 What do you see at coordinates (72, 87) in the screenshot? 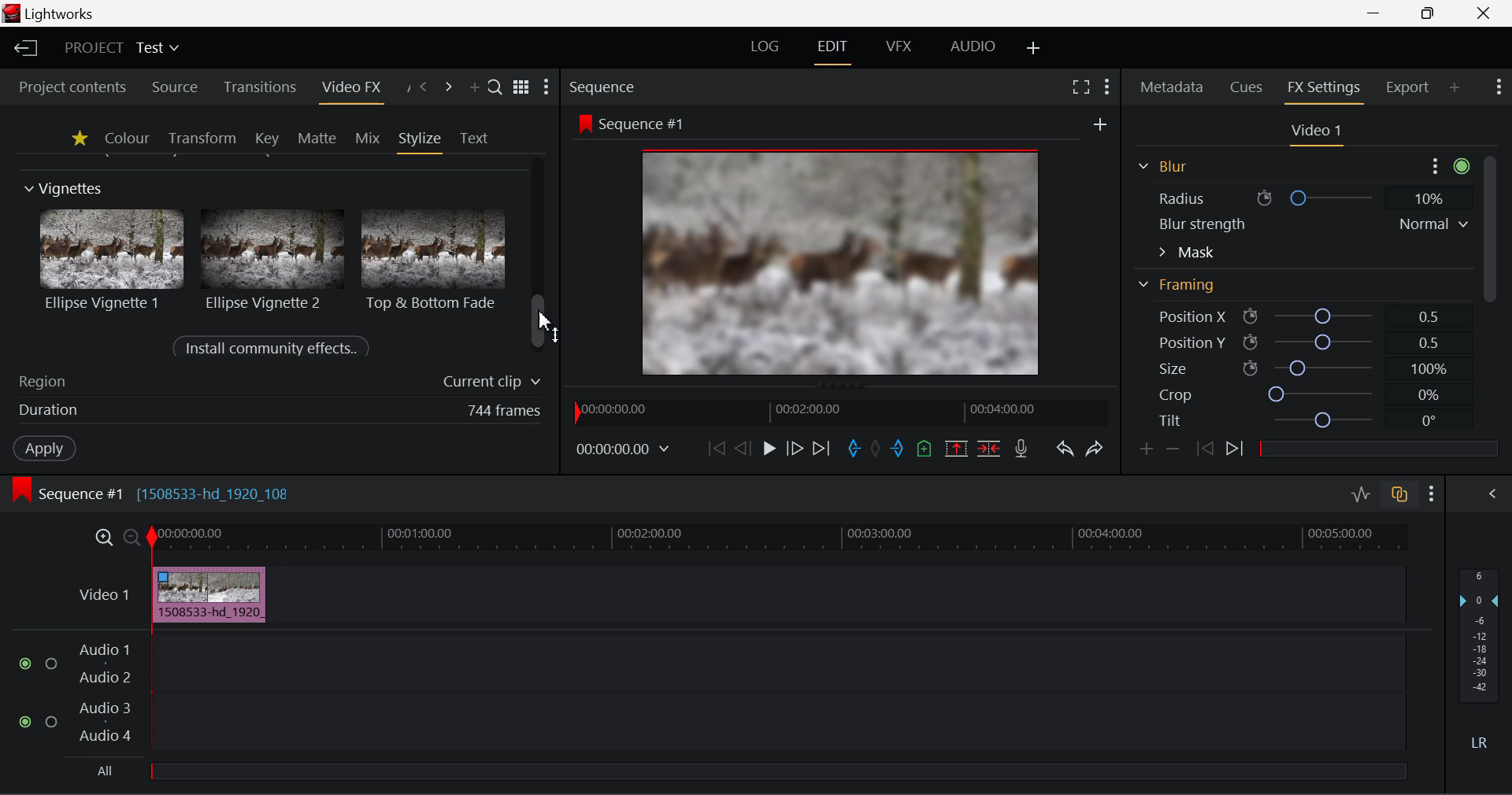
I see `Project contents` at bounding box center [72, 87].